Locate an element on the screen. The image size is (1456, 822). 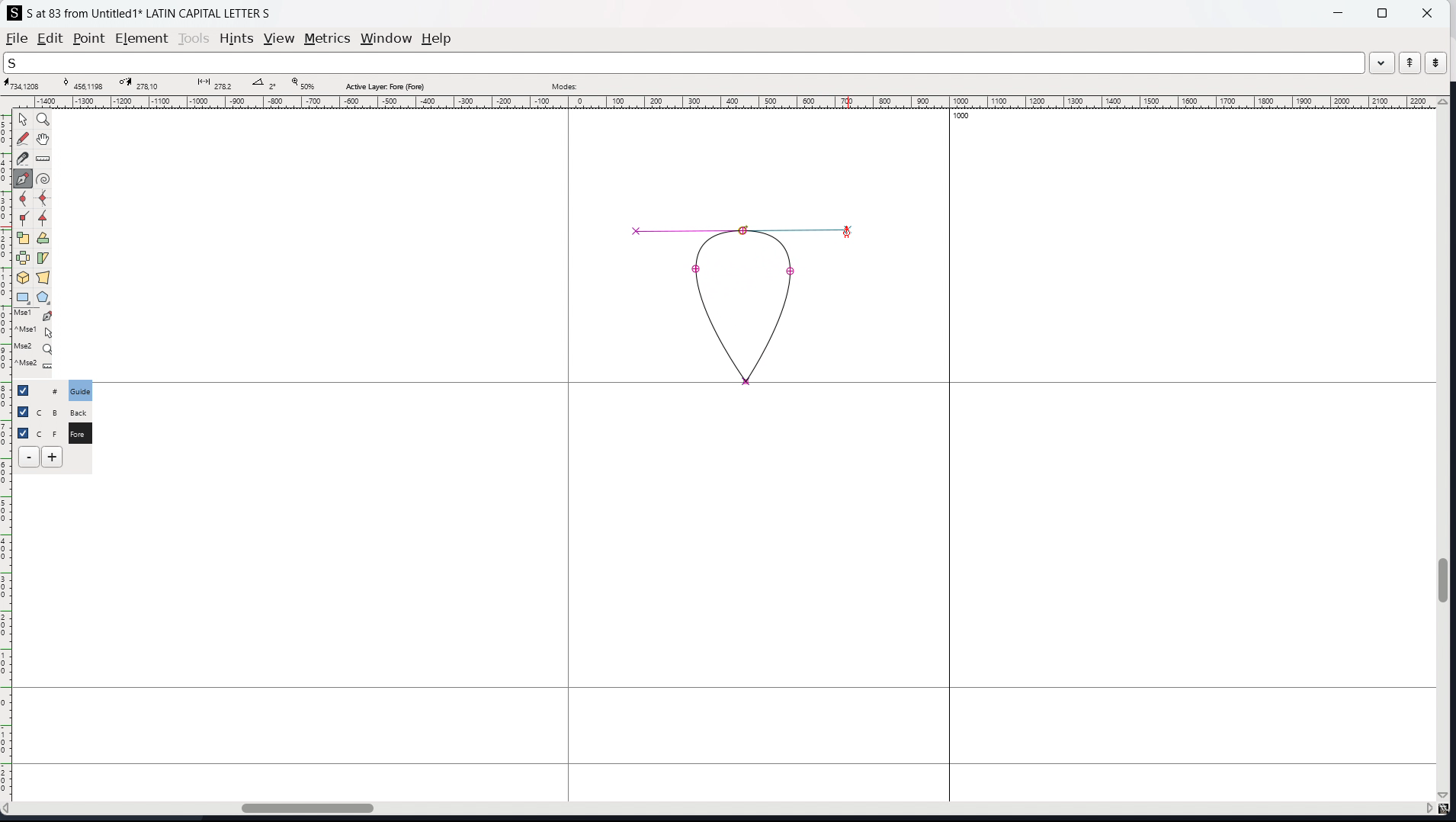
scale the selection is located at coordinates (24, 239).